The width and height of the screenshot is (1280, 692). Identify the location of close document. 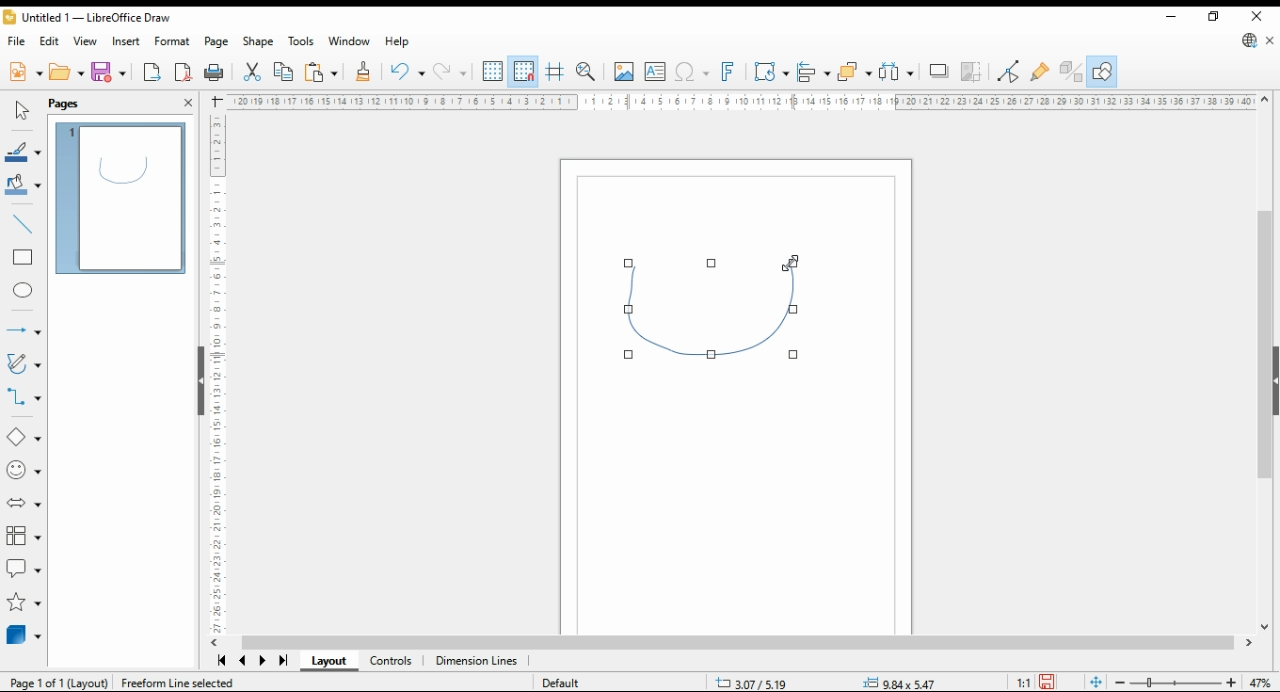
(1270, 39).